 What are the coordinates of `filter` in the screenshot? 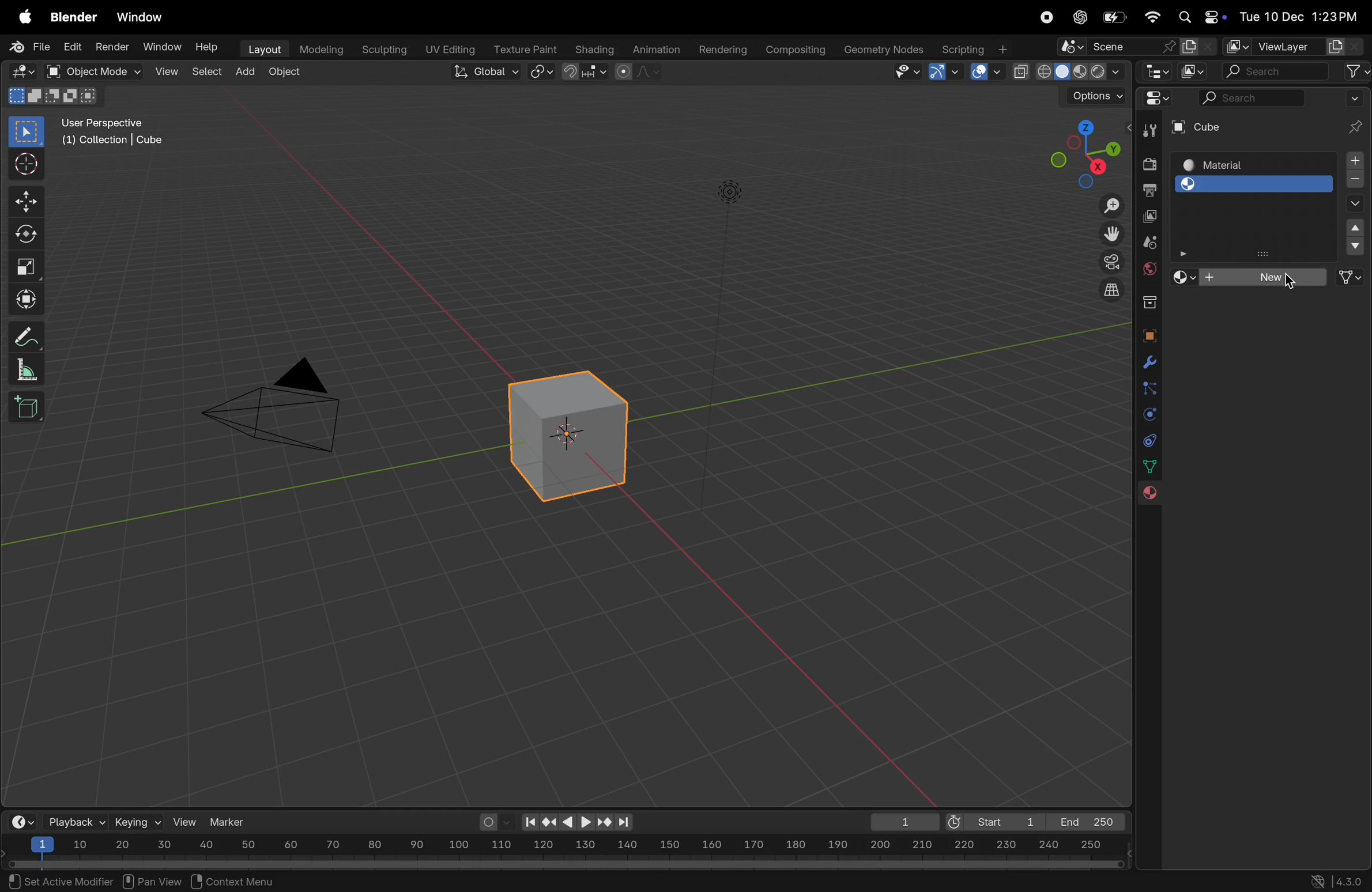 It's located at (1356, 71).